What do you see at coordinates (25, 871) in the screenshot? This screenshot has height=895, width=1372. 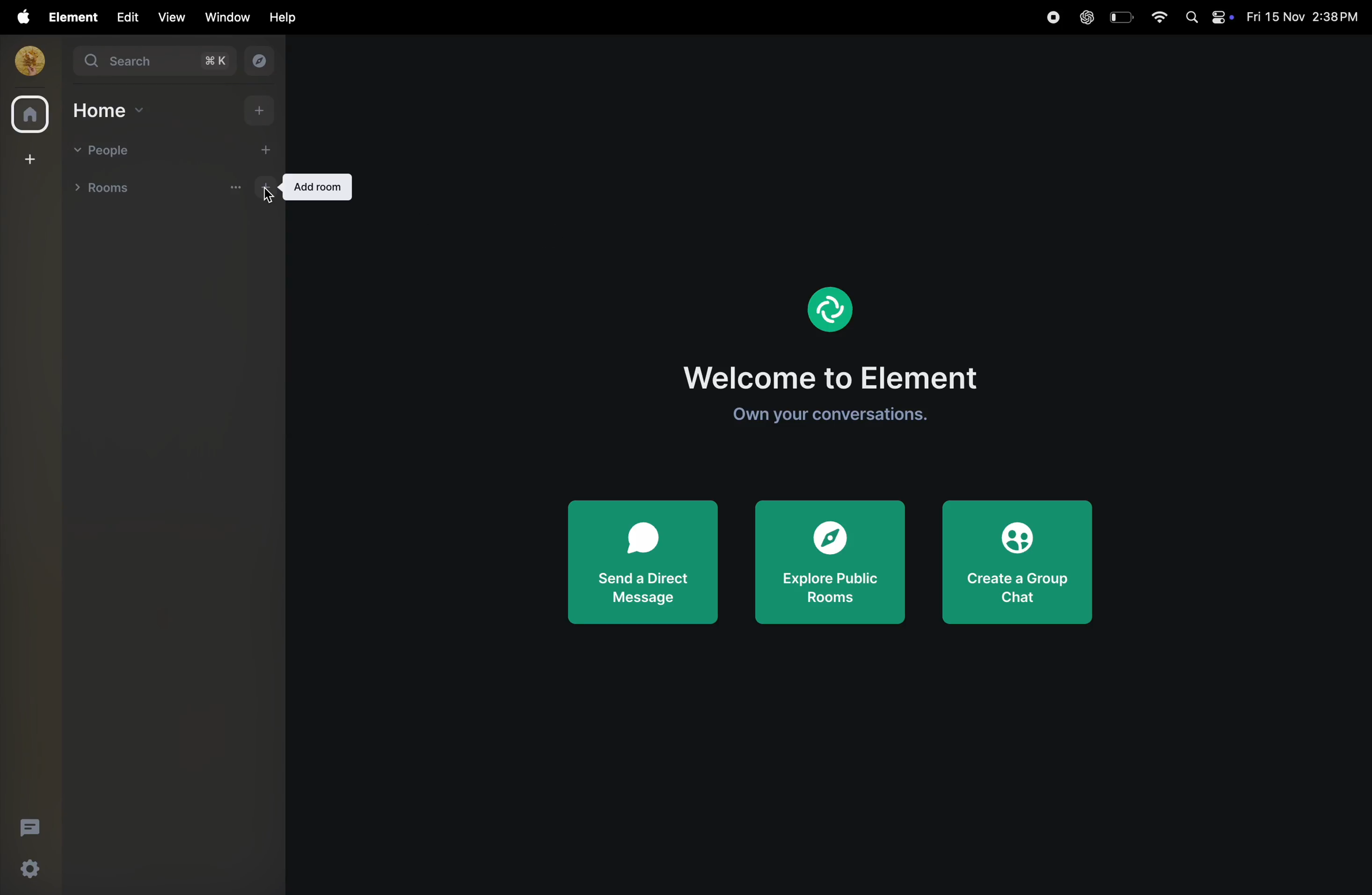 I see `quick settings` at bounding box center [25, 871].